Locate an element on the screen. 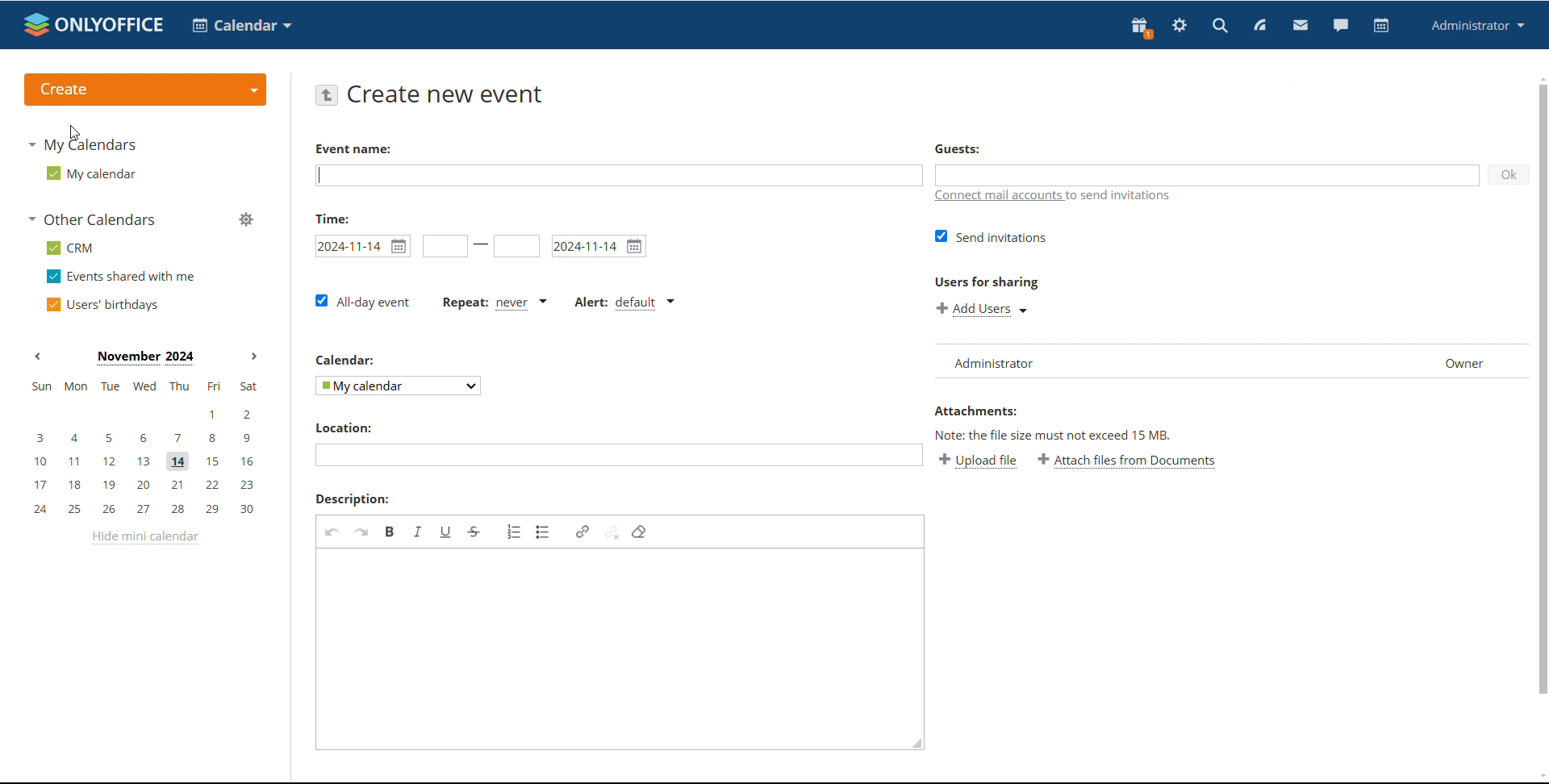 The width and height of the screenshot is (1549, 784). add location is located at coordinates (618, 455).